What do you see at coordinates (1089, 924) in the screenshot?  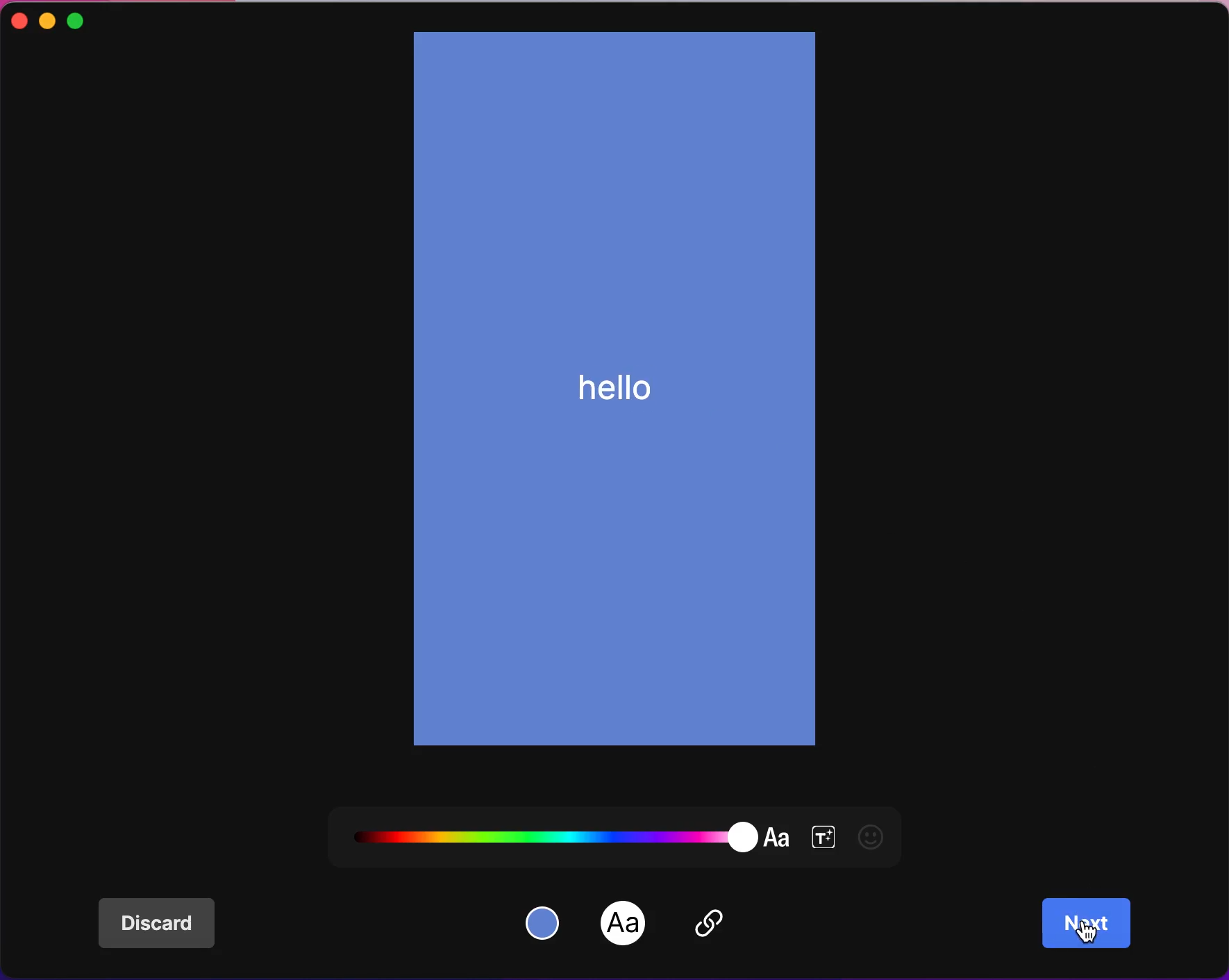 I see `next` at bounding box center [1089, 924].